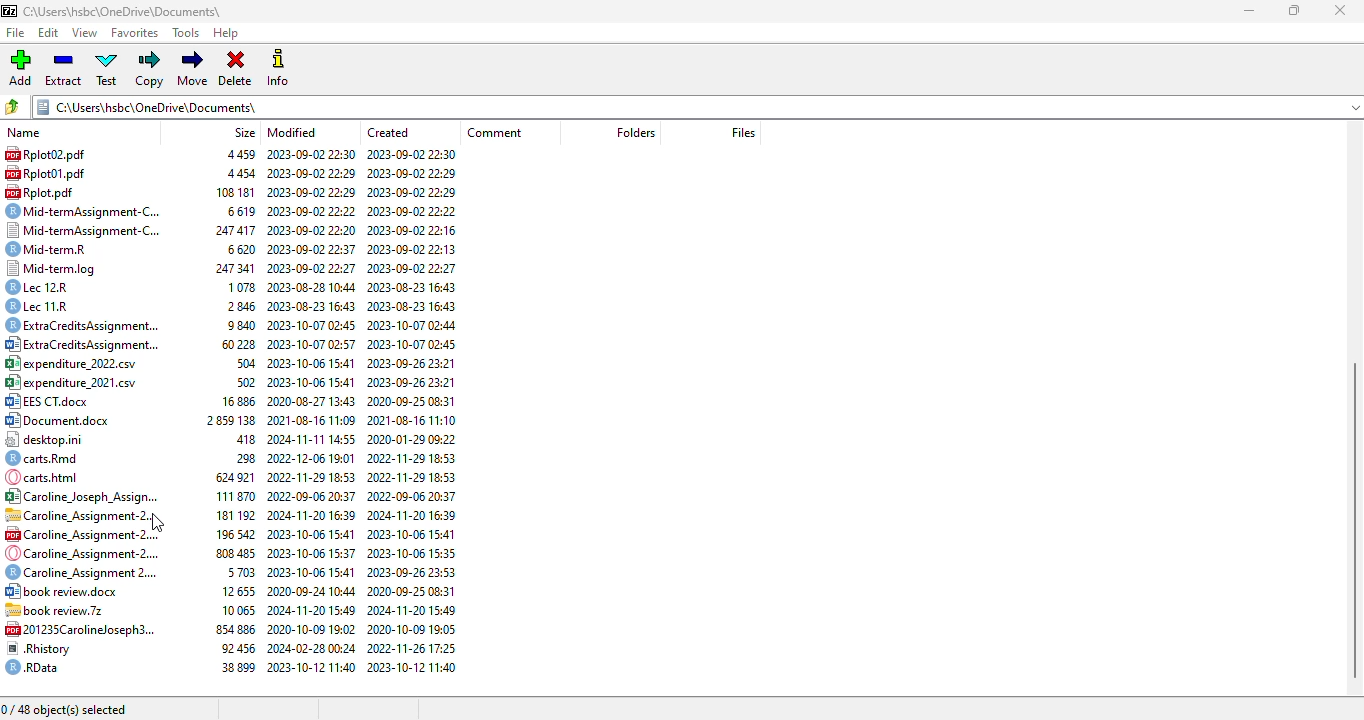  What do you see at coordinates (54, 440) in the screenshot?
I see `desktop.ini` at bounding box center [54, 440].